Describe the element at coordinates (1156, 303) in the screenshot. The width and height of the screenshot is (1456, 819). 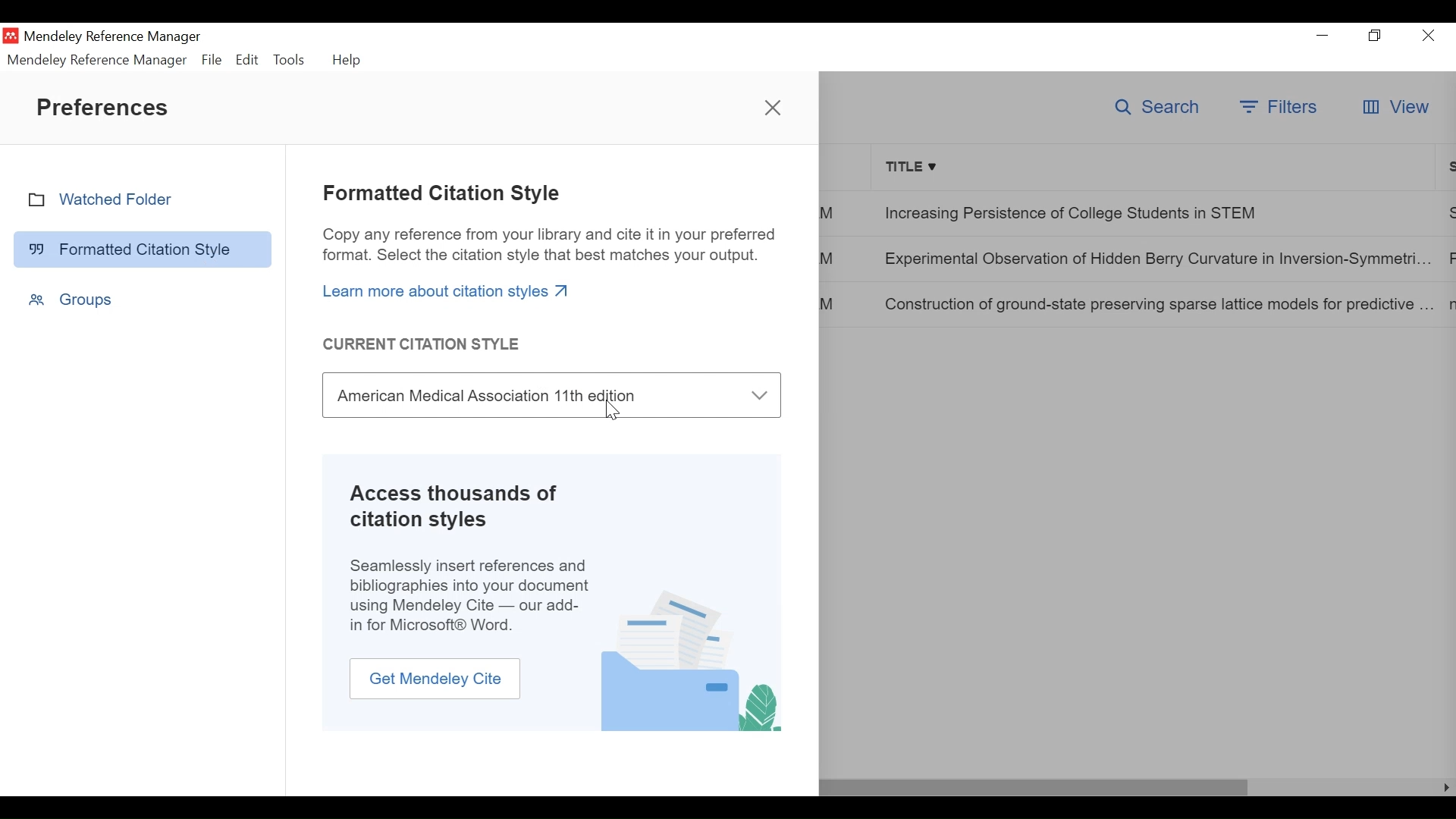
I see `Construction of ground-state preserving sparse lattice models for predictive` at that location.